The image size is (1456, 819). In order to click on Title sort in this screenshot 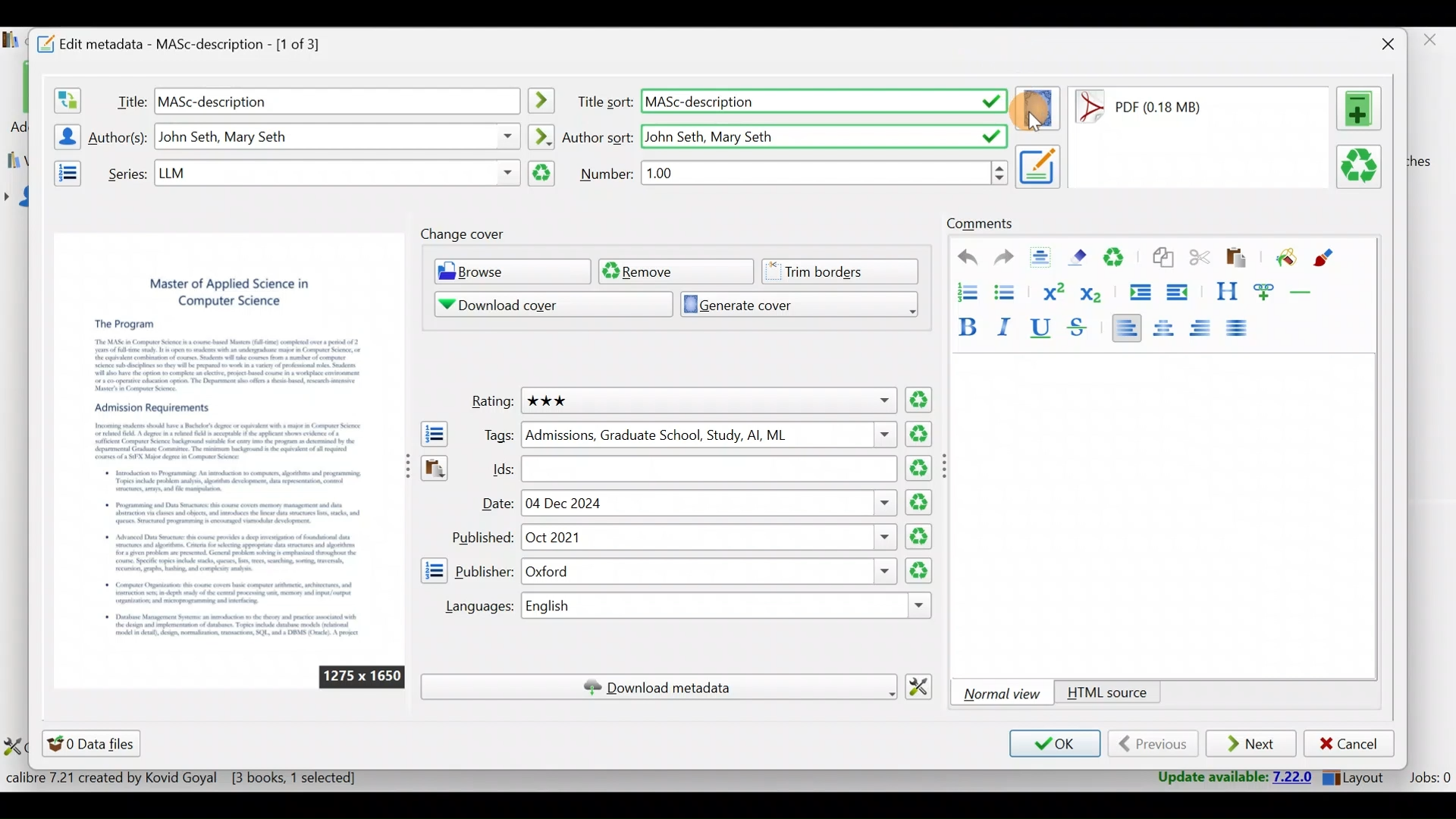, I will do `click(604, 102)`.